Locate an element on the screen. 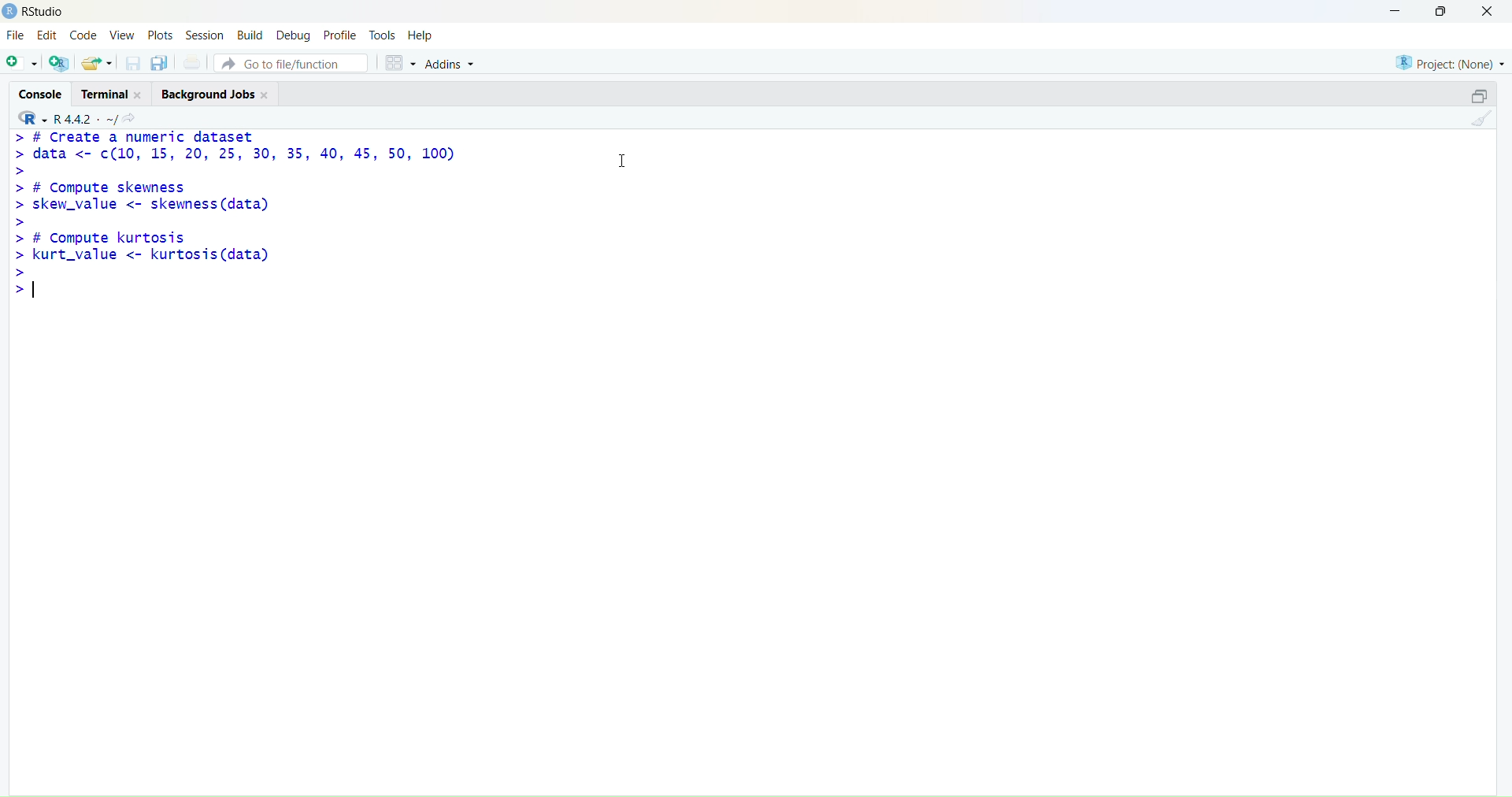  Code is located at coordinates (84, 36).